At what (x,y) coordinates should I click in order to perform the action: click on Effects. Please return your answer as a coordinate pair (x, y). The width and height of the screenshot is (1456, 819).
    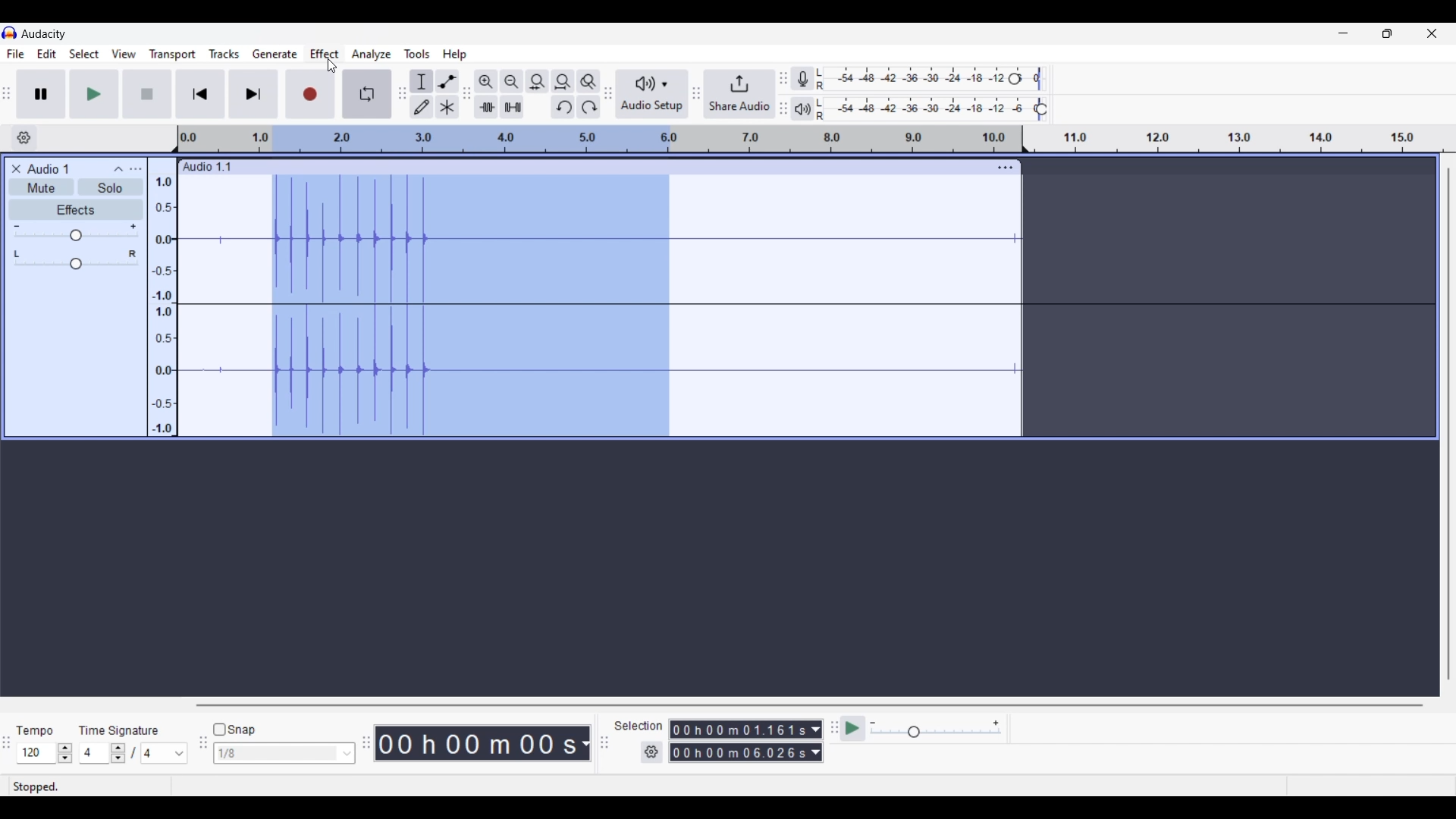
    Looking at the image, I should click on (76, 209).